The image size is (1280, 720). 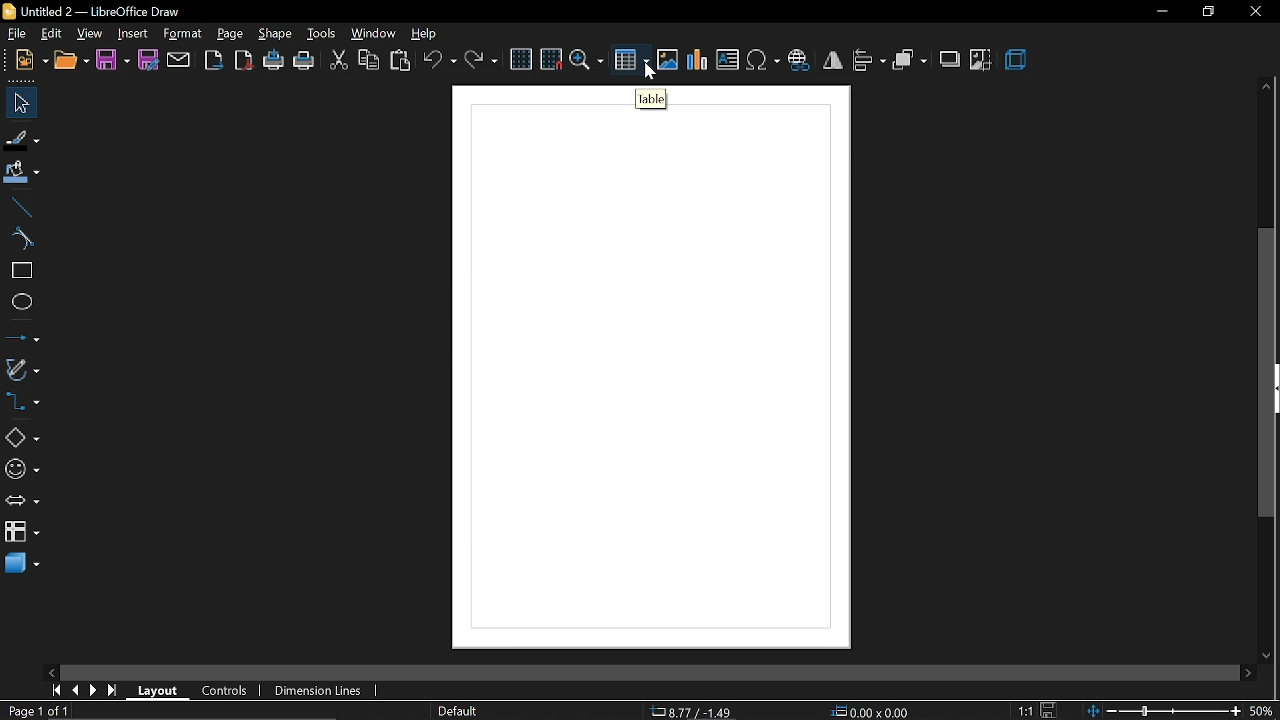 I want to click on cut , so click(x=338, y=61).